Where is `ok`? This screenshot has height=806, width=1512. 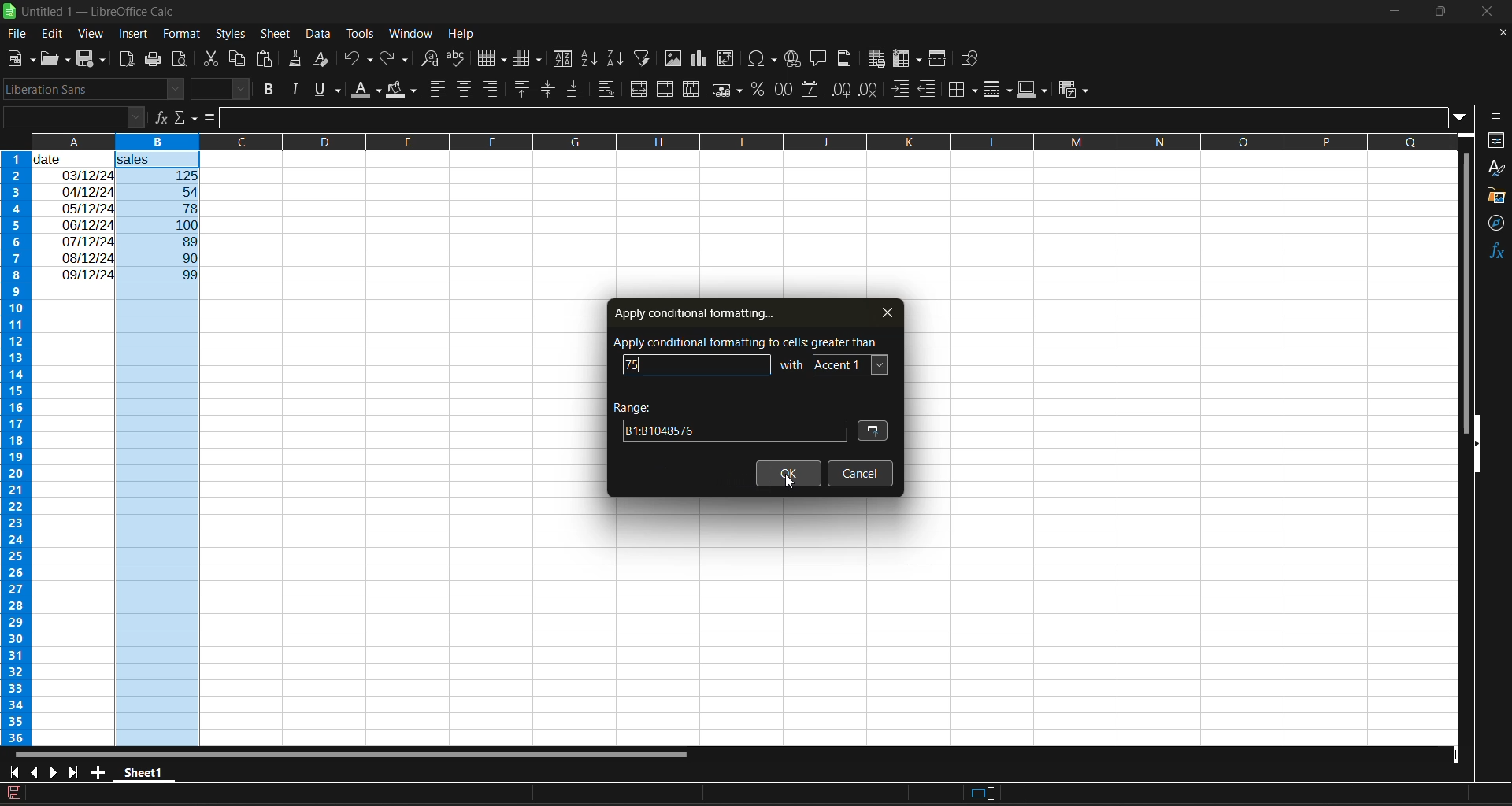 ok is located at coordinates (789, 475).